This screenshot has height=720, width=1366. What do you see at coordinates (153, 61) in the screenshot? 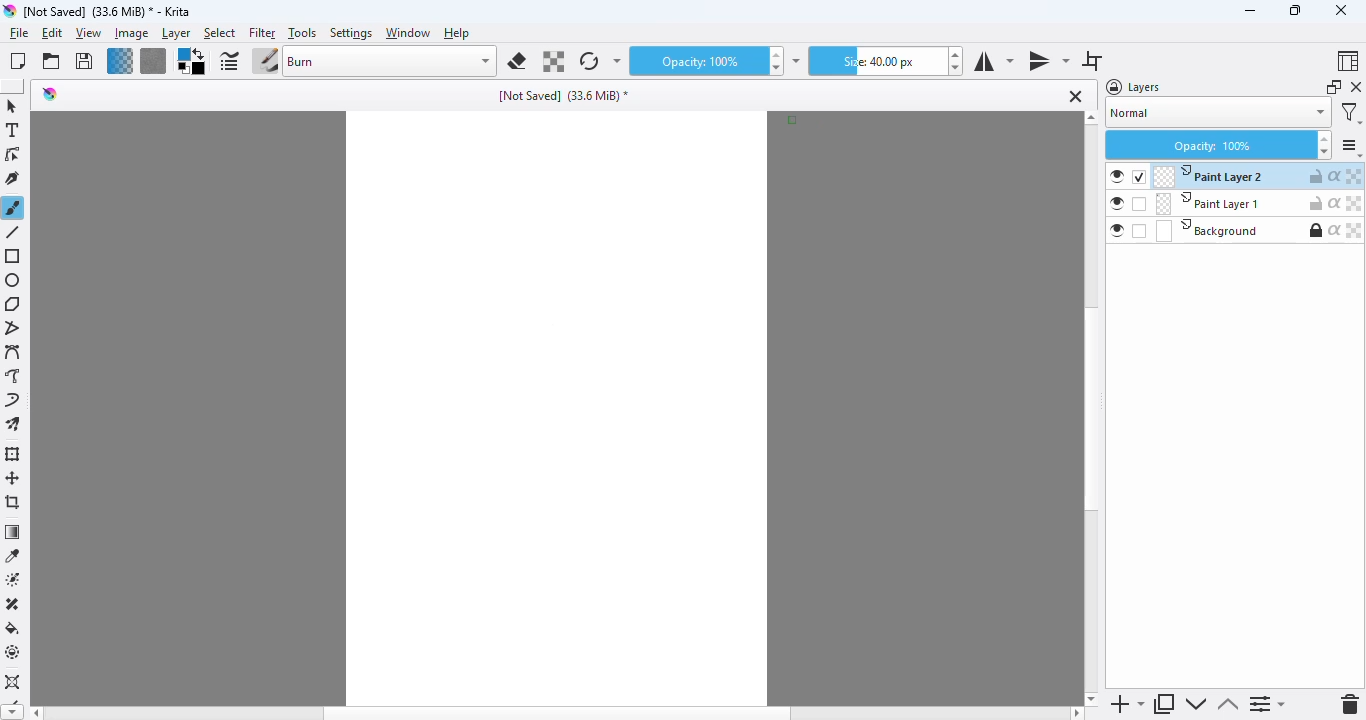
I see `fill pattern` at bounding box center [153, 61].